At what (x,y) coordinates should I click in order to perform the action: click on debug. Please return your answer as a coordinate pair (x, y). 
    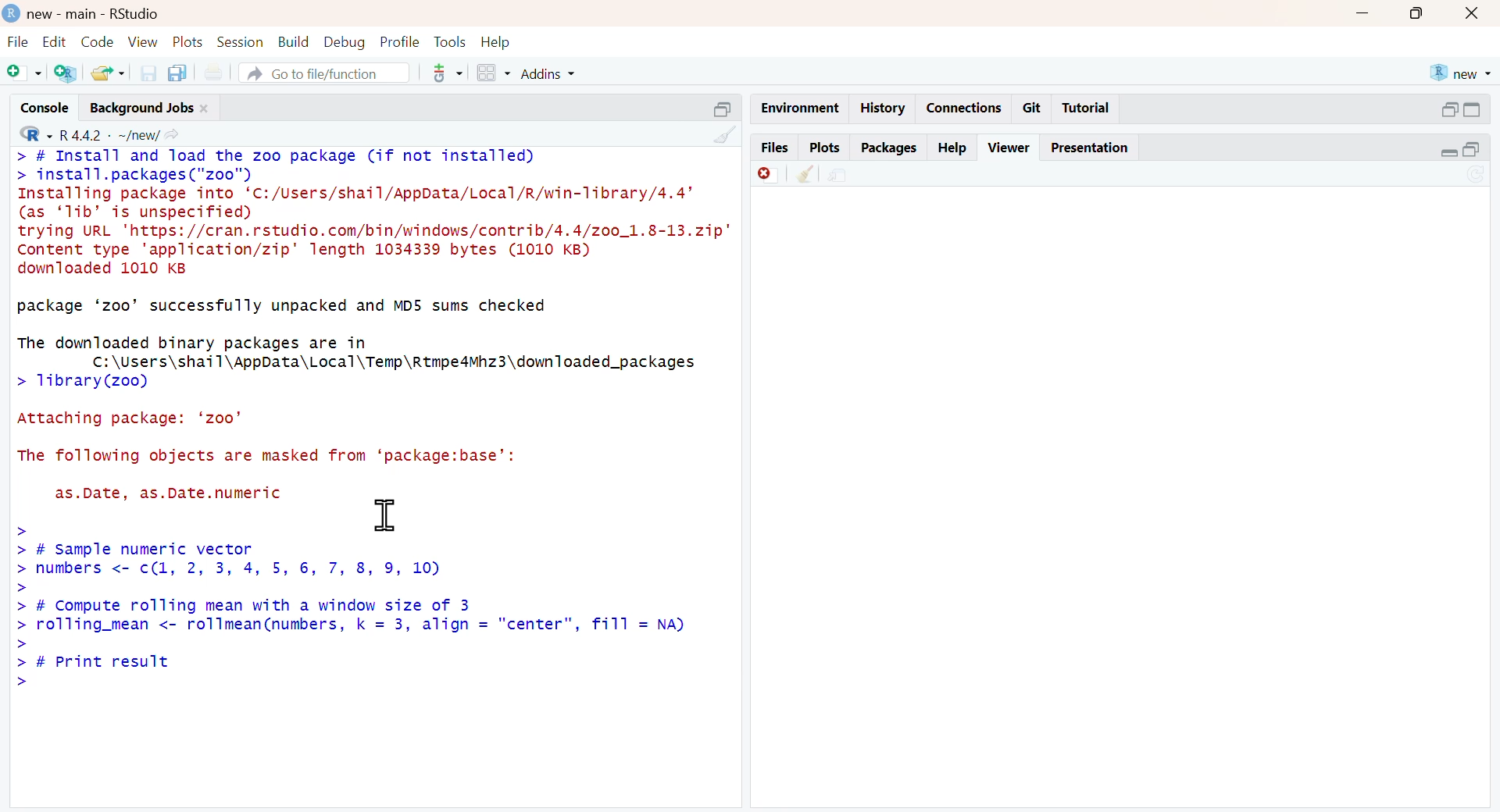
    Looking at the image, I should click on (346, 43).